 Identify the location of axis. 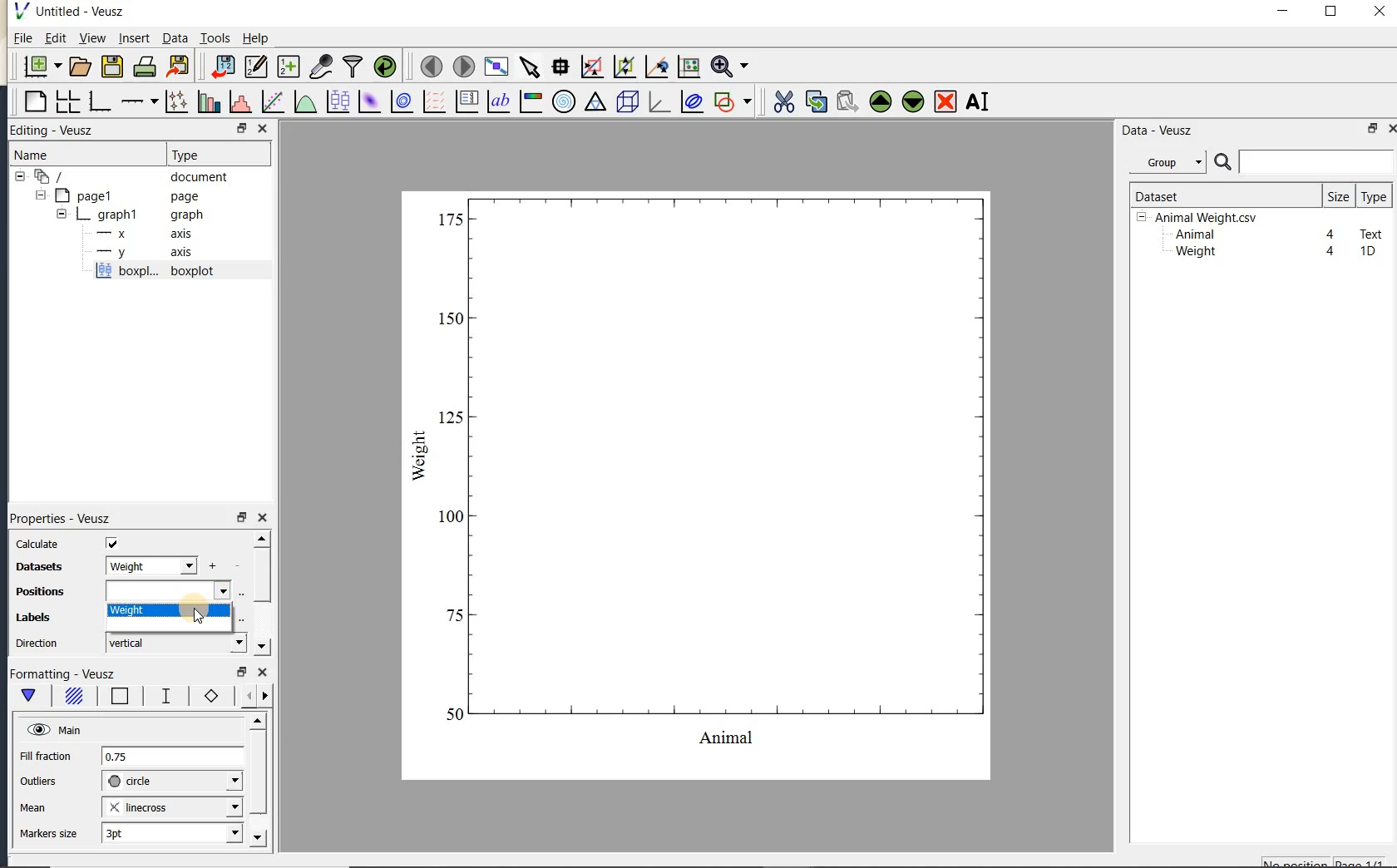
(140, 234).